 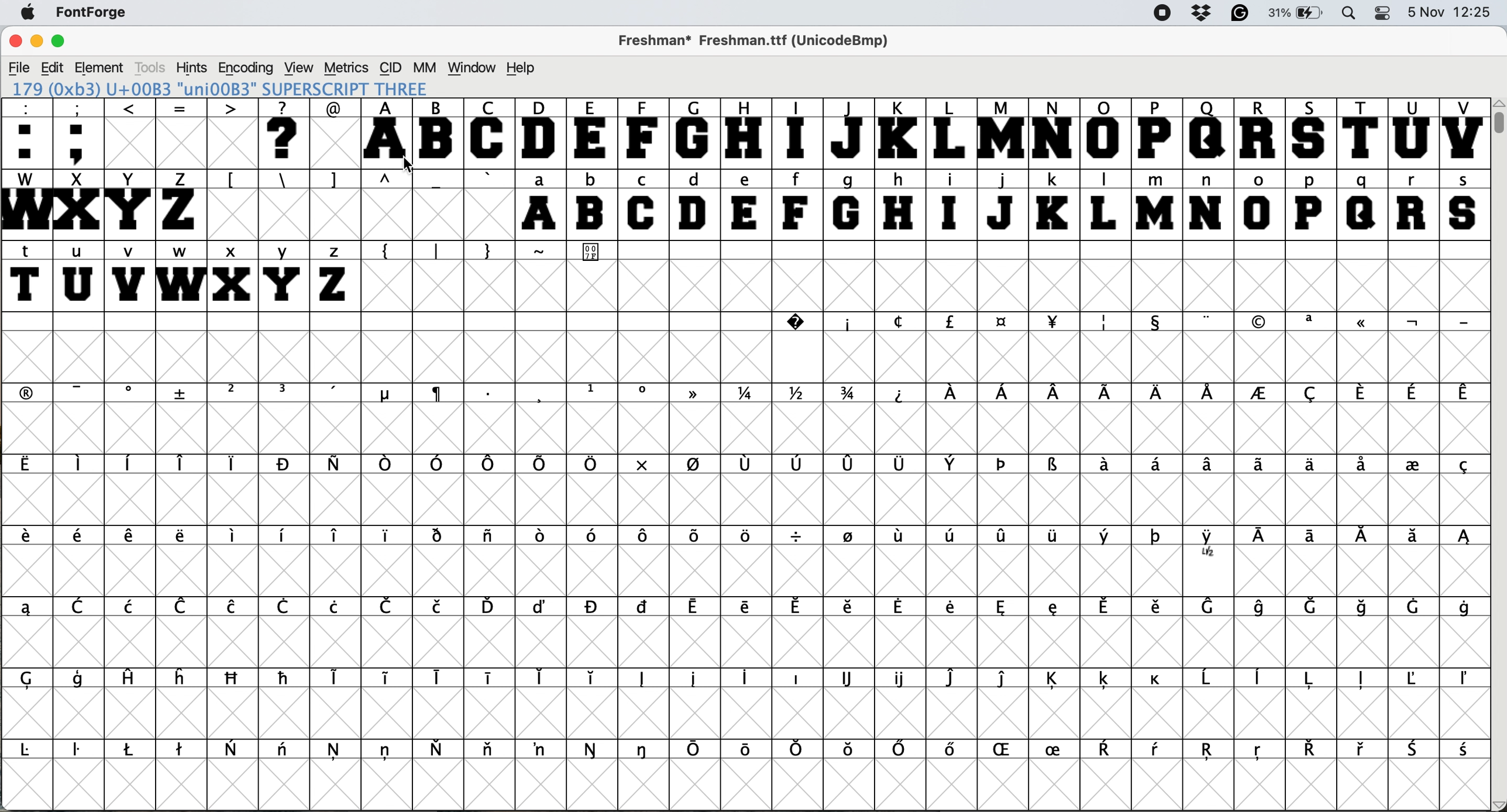 What do you see at coordinates (183, 393) in the screenshot?
I see `symbol` at bounding box center [183, 393].